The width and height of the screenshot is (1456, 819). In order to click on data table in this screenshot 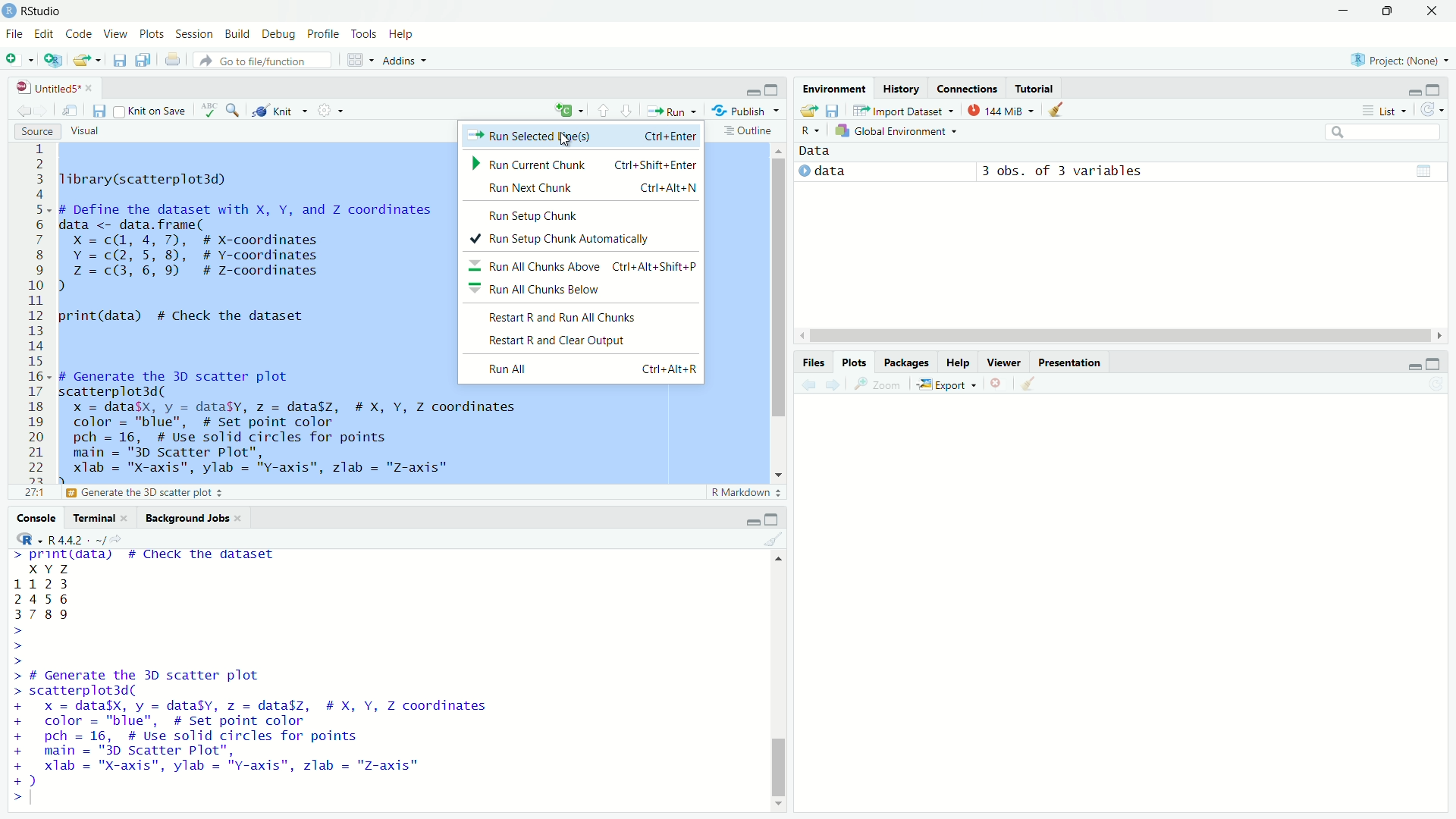, I will do `click(1429, 168)`.